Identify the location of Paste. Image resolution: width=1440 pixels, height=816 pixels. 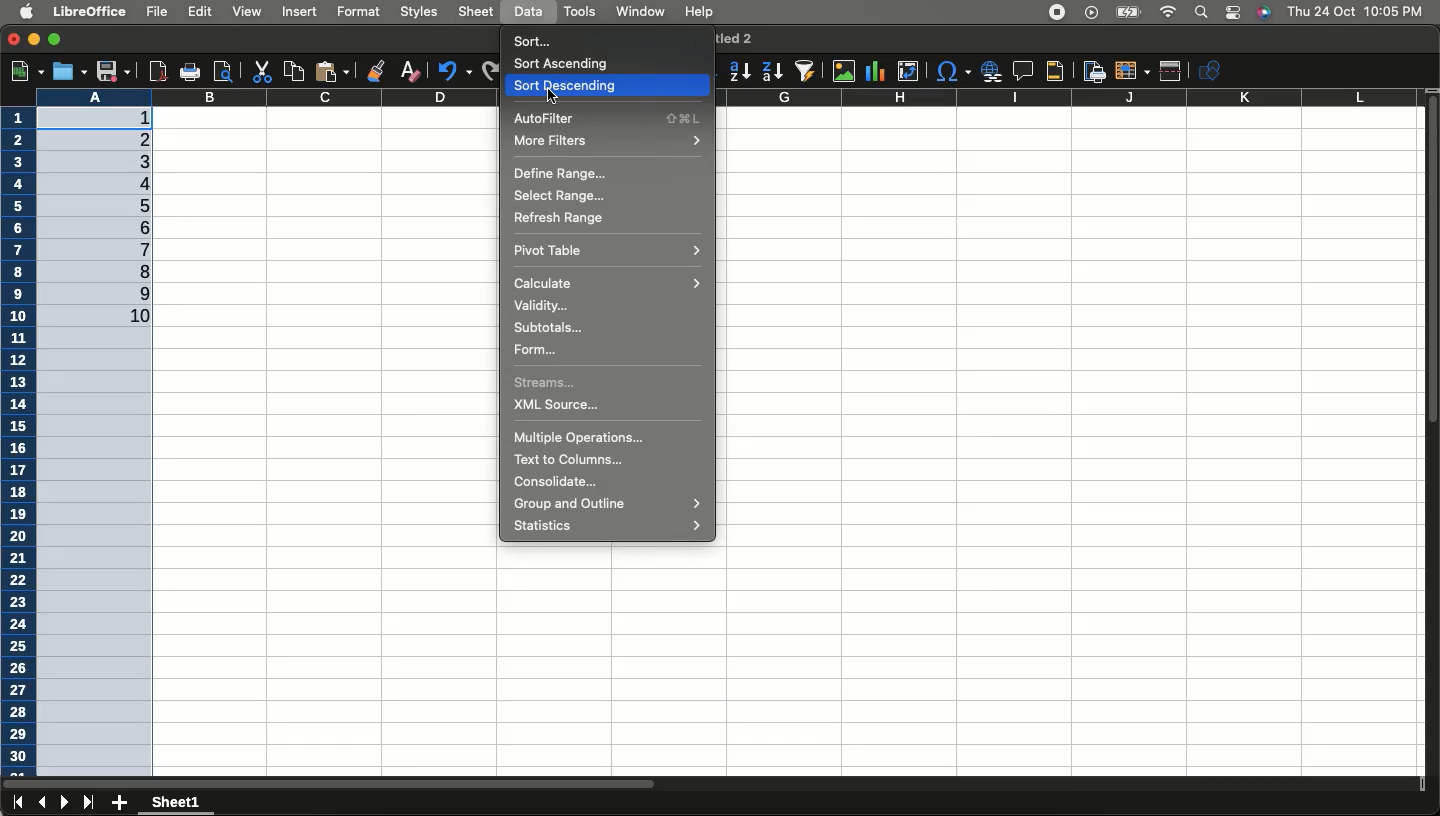
(336, 70).